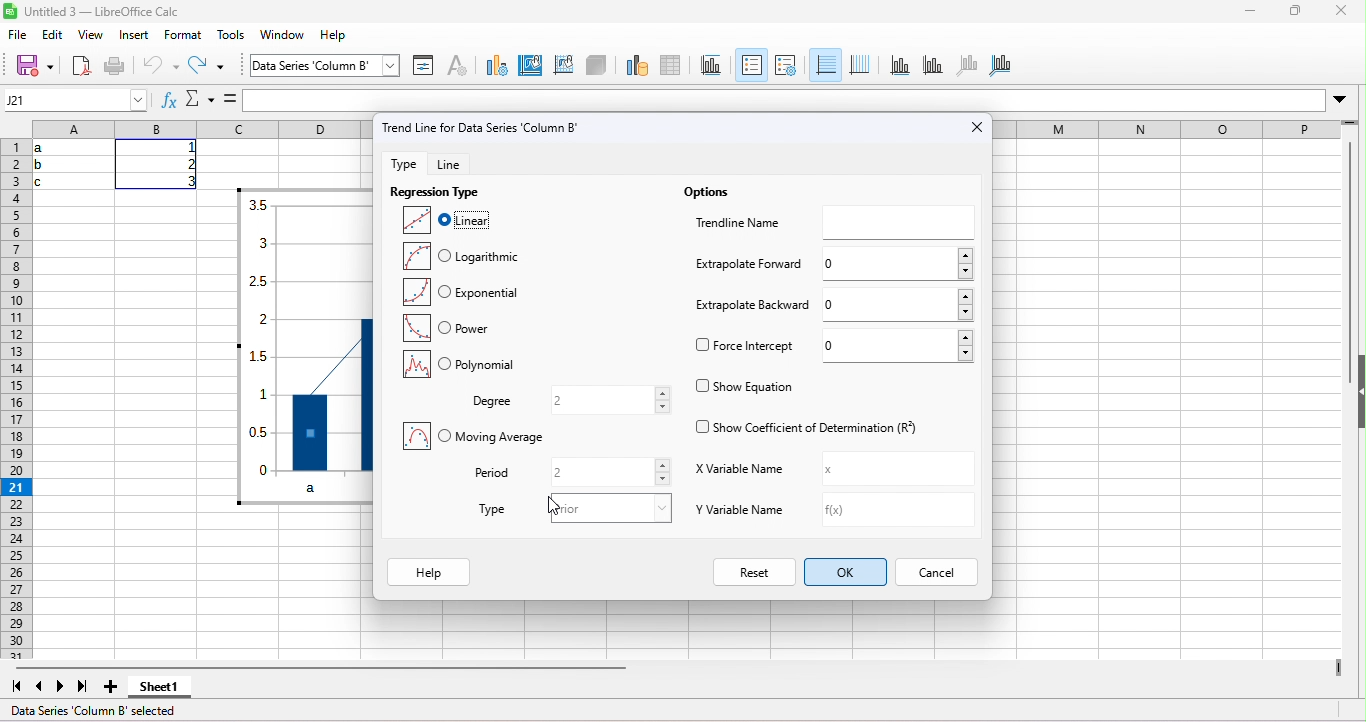  What do you see at coordinates (810, 427) in the screenshot?
I see `show coefficient determination ` at bounding box center [810, 427].